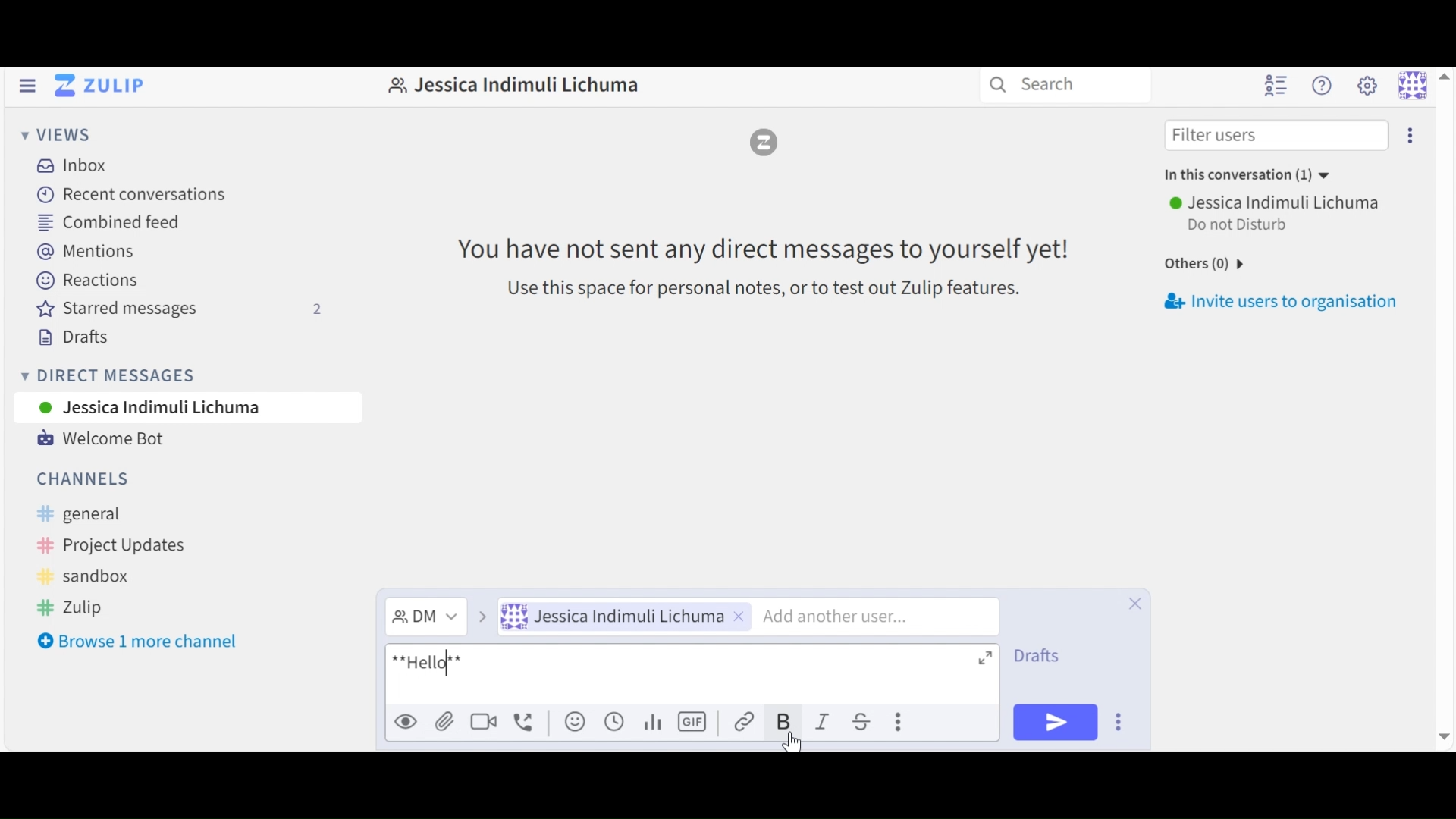  Describe the element at coordinates (86, 253) in the screenshot. I see `Mentions` at that location.